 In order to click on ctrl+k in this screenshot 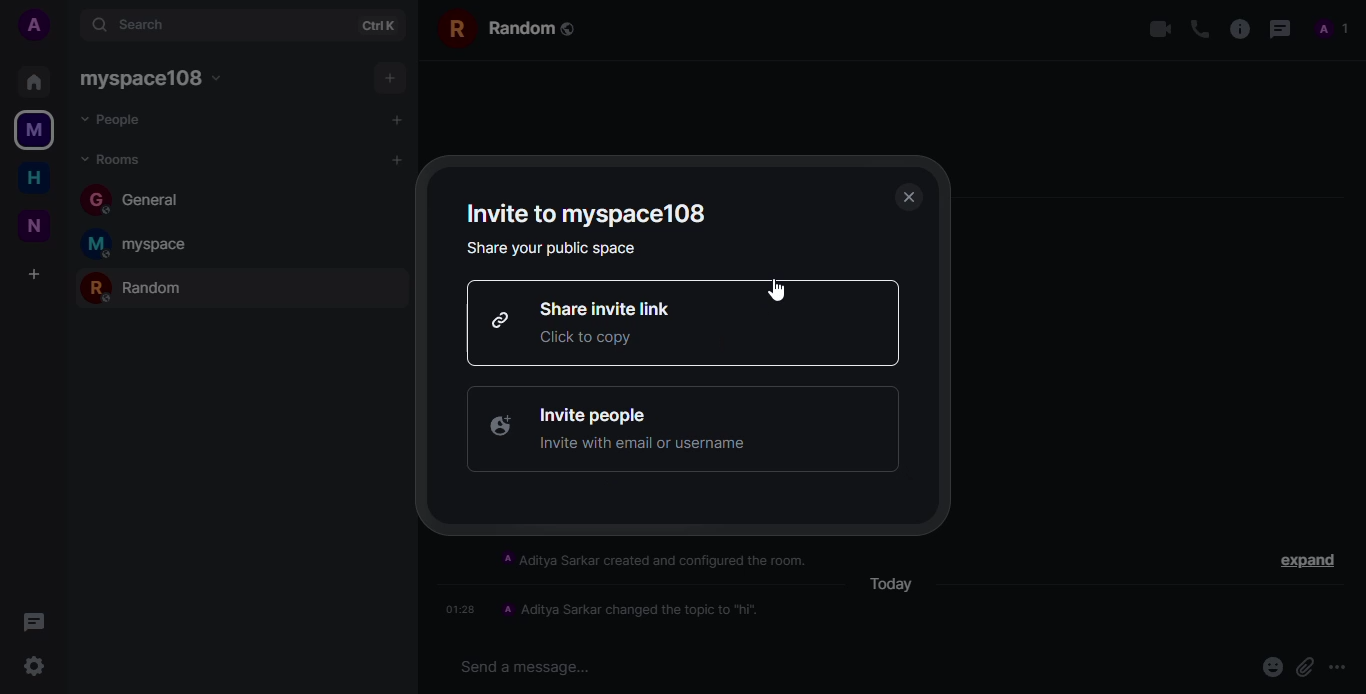, I will do `click(381, 24)`.